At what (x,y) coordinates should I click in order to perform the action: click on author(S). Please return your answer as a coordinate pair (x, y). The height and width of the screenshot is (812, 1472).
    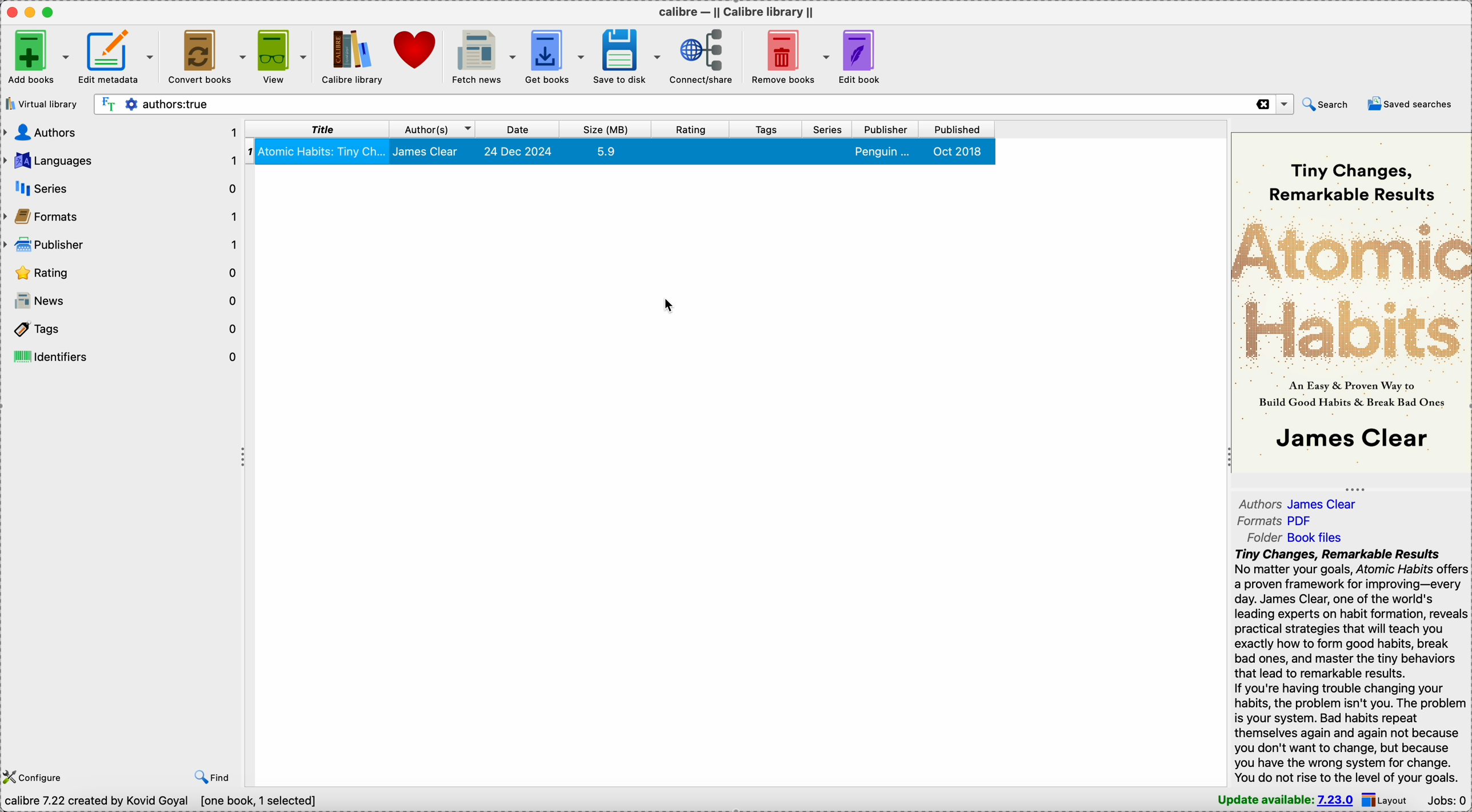
    Looking at the image, I should click on (431, 129).